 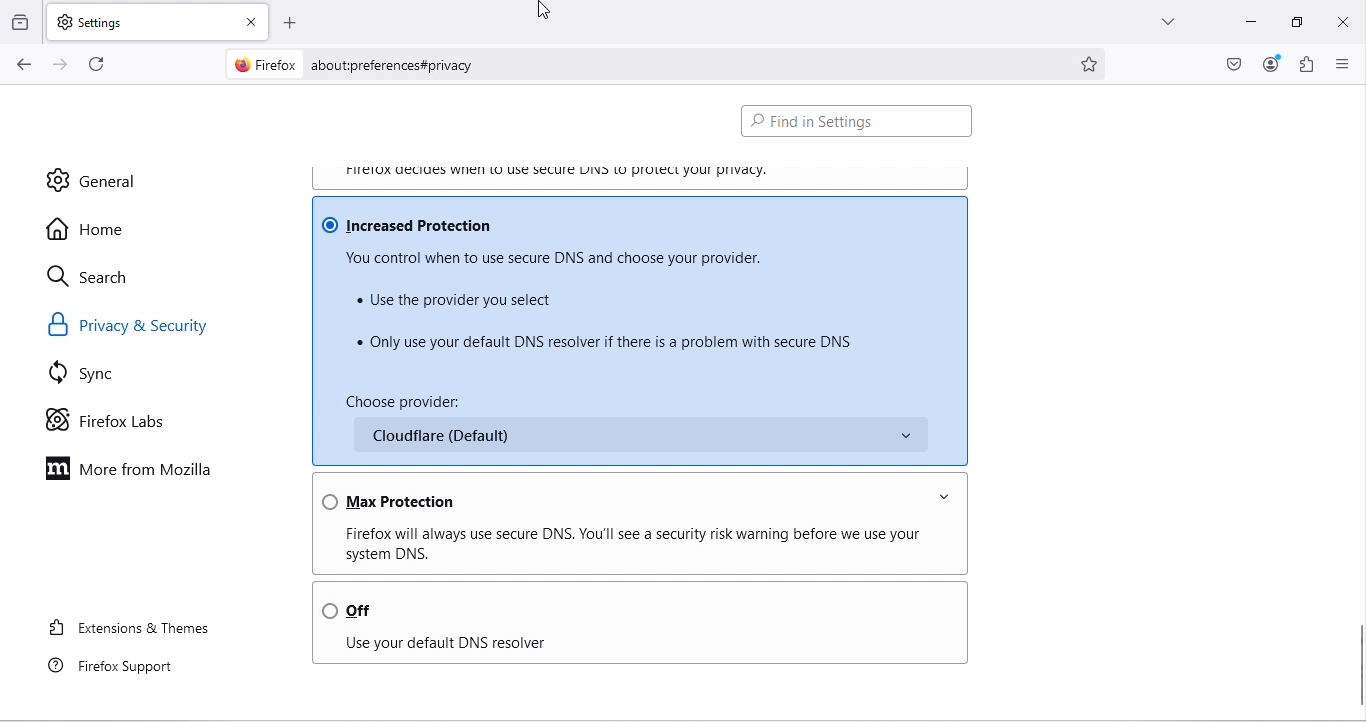 I want to click on Firefox will always use secure DNS . You'll see a security risk warning before we use your system DNS, so click(x=636, y=545).